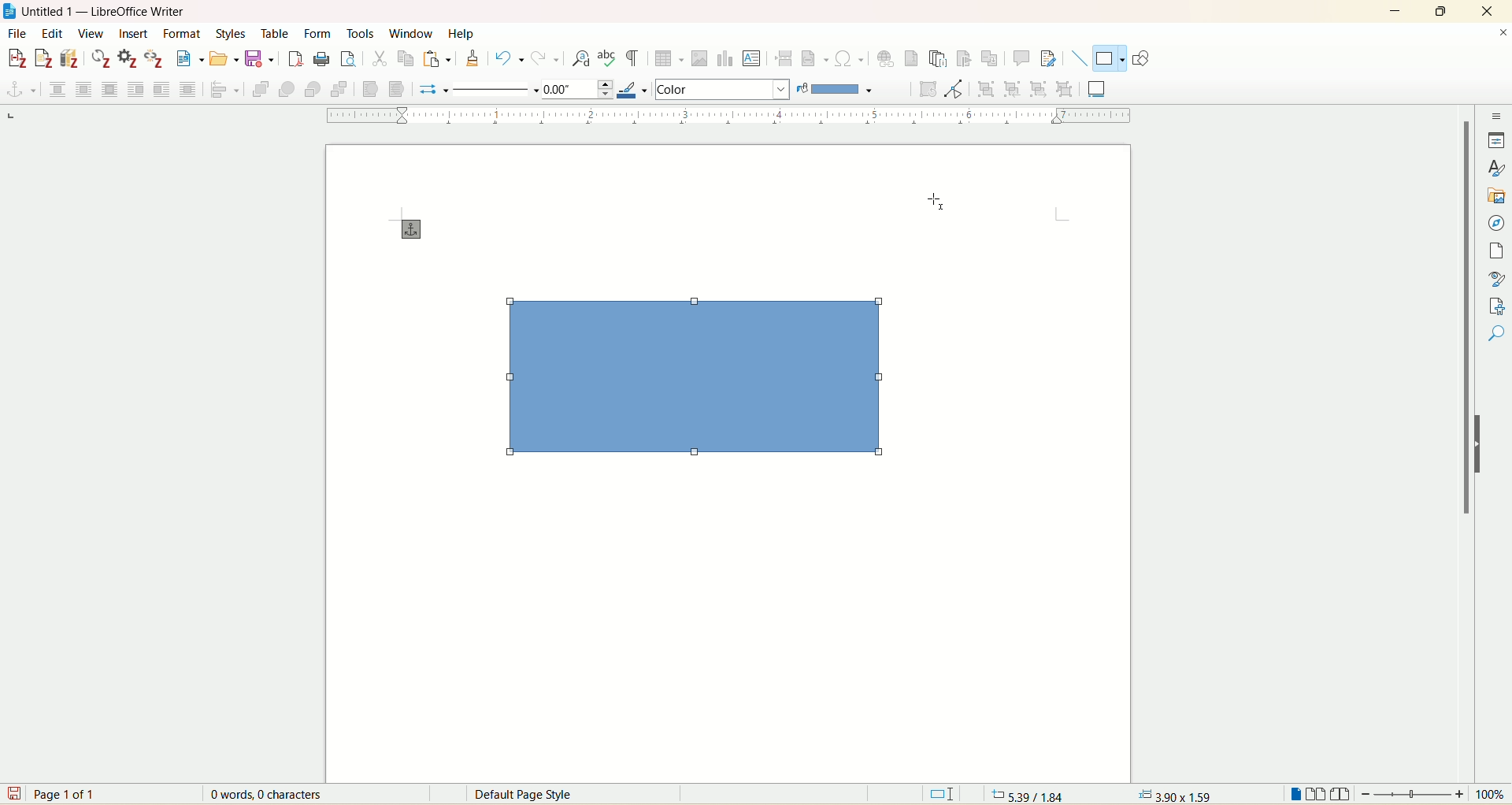  What do you see at coordinates (413, 31) in the screenshot?
I see `window` at bounding box center [413, 31].